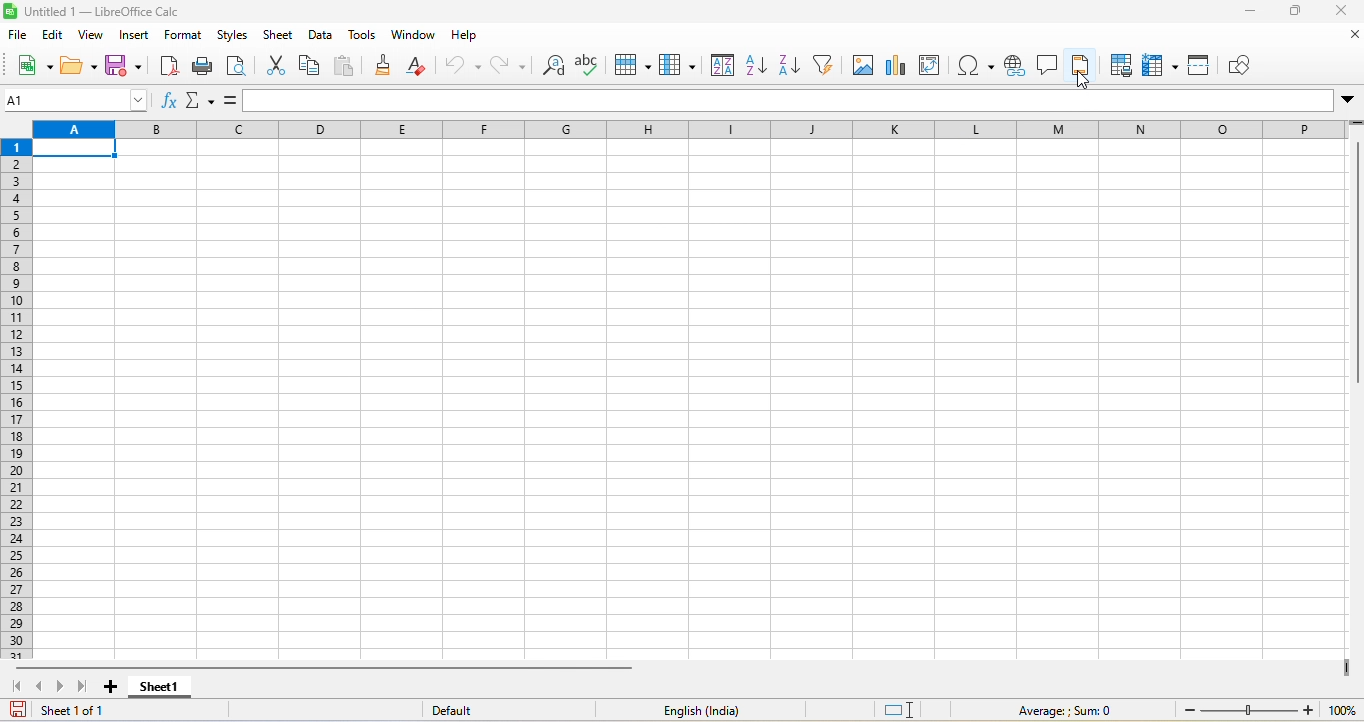 The image size is (1364, 722). What do you see at coordinates (722, 64) in the screenshot?
I see `sort` at bounding box center [722, 64].